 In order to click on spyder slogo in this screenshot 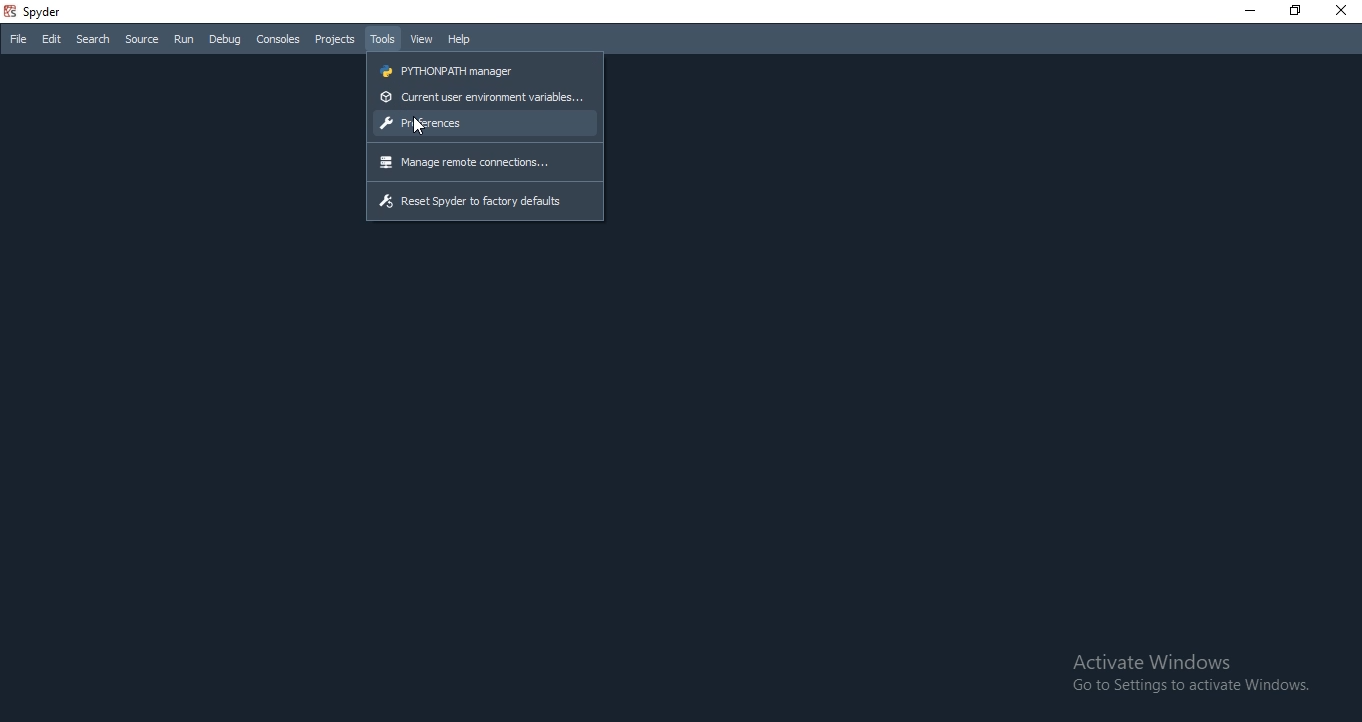, I will do `click(11, 13)`.